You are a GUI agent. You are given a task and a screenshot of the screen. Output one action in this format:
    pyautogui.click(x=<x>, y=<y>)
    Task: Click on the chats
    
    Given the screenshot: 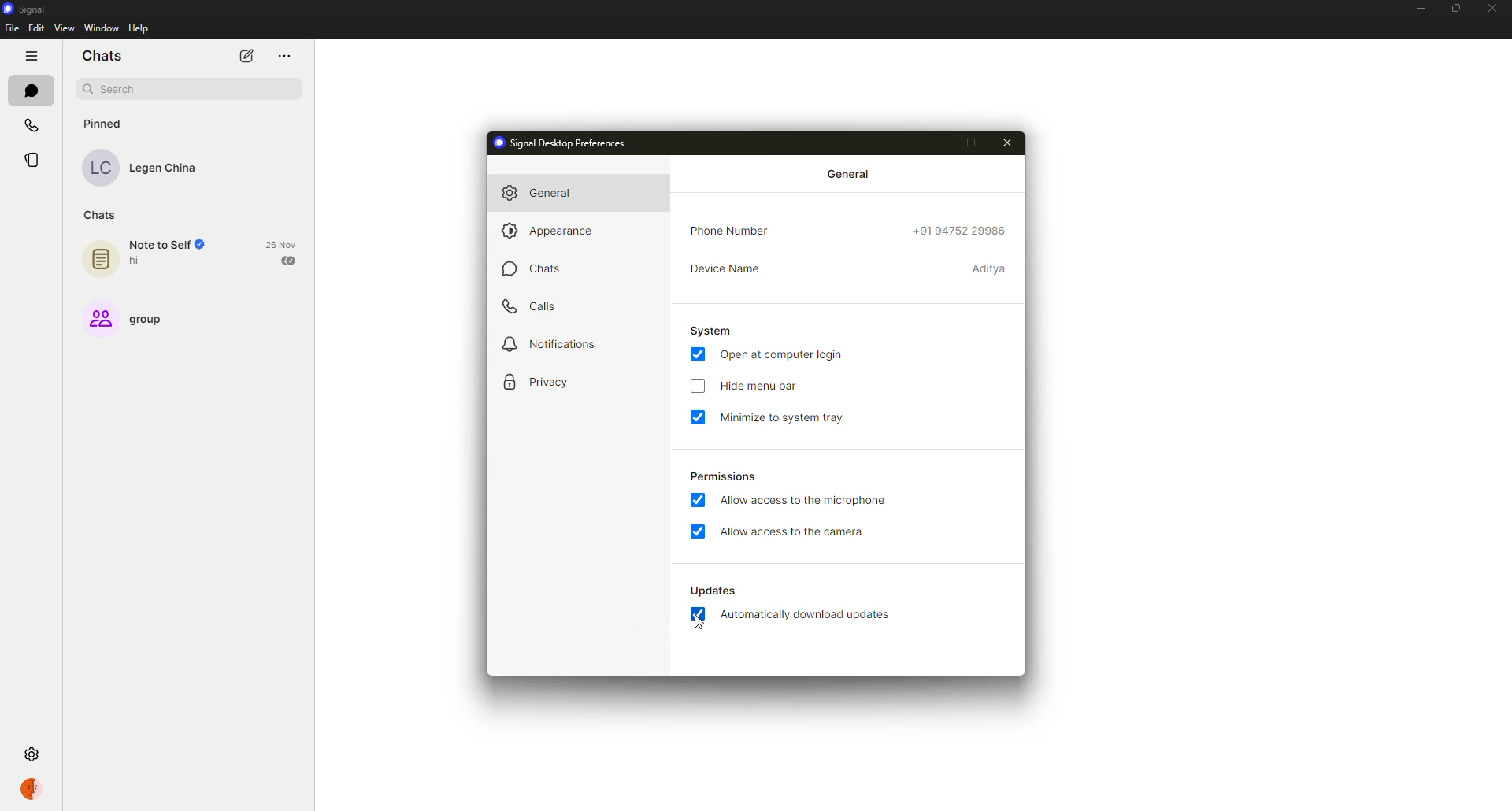 What is the action you would take?
    pyautogui.click(x=103, y=56)
    